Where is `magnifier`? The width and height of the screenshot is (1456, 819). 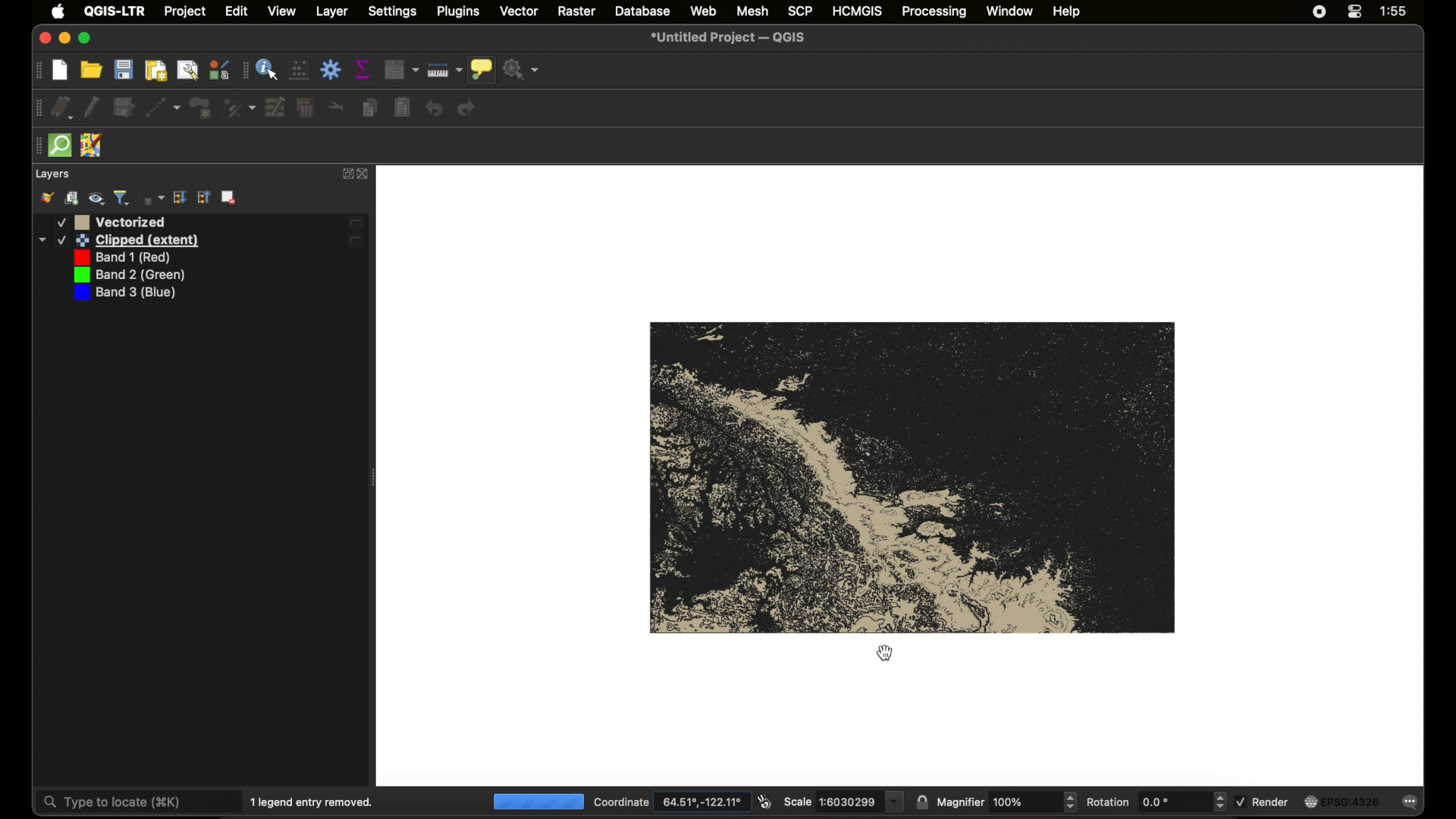
magnifier is located at coordinates (1006, 802).